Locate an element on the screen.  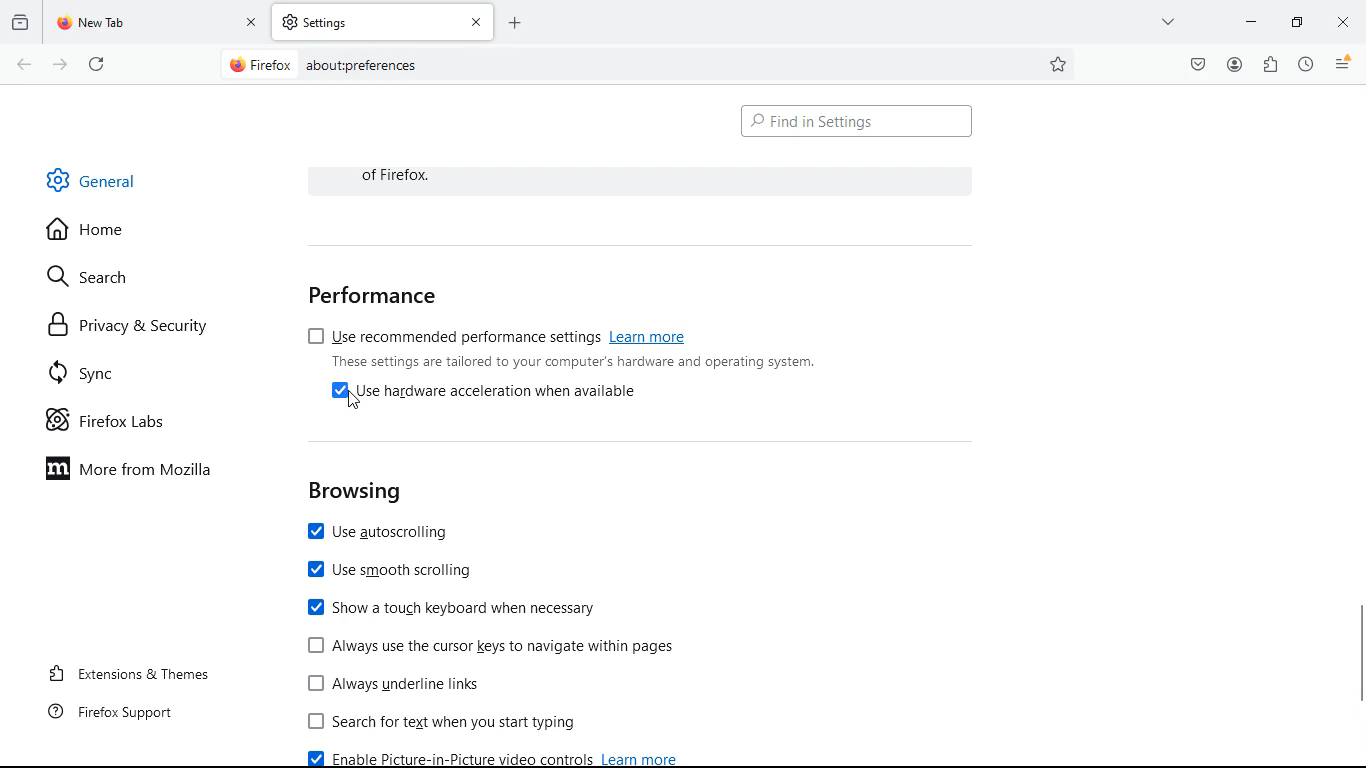
tab is located at coordinates (156, 23).